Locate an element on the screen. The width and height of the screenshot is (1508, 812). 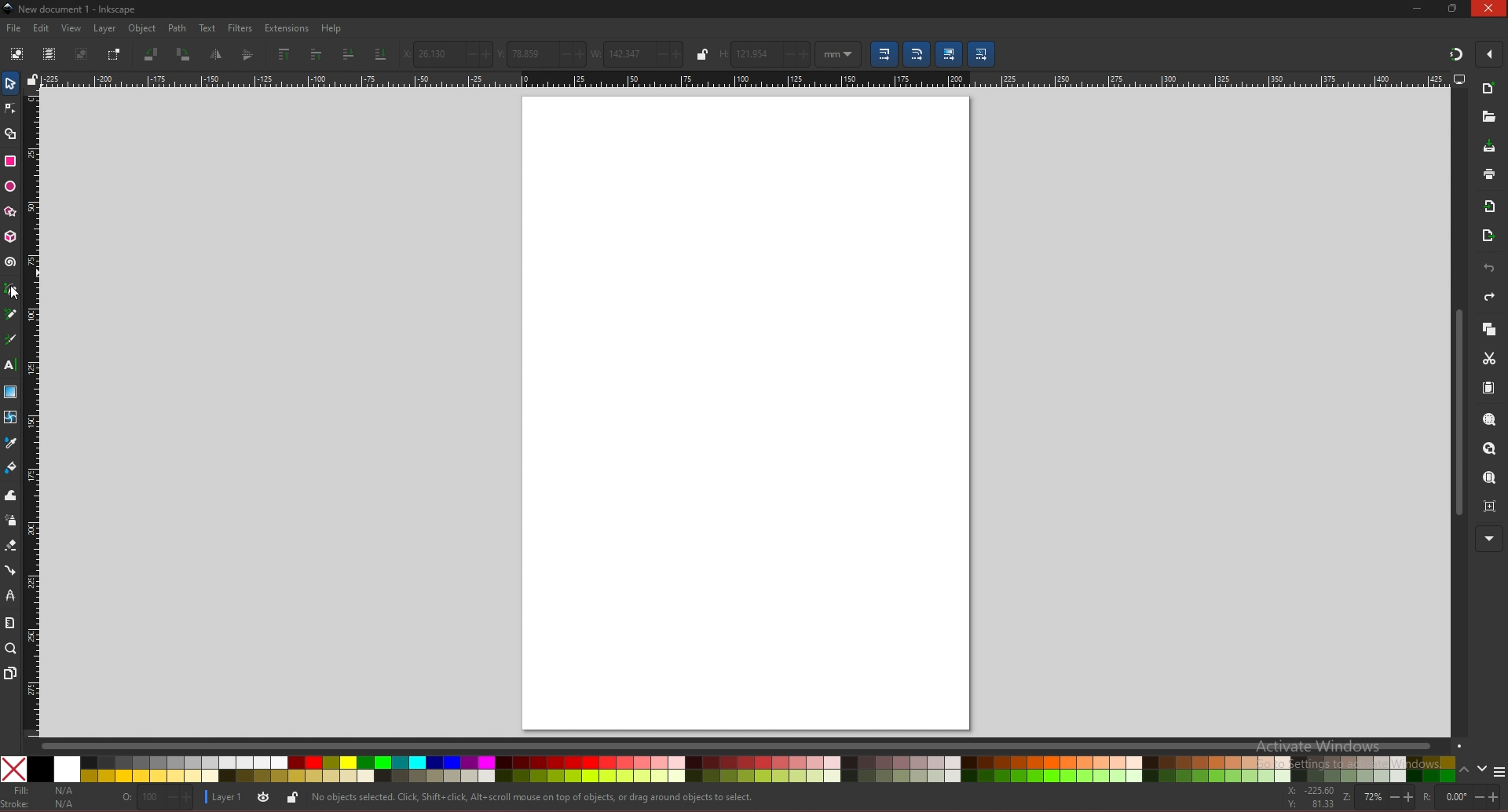
zoom drawing is located at coordinates (1488, 449).